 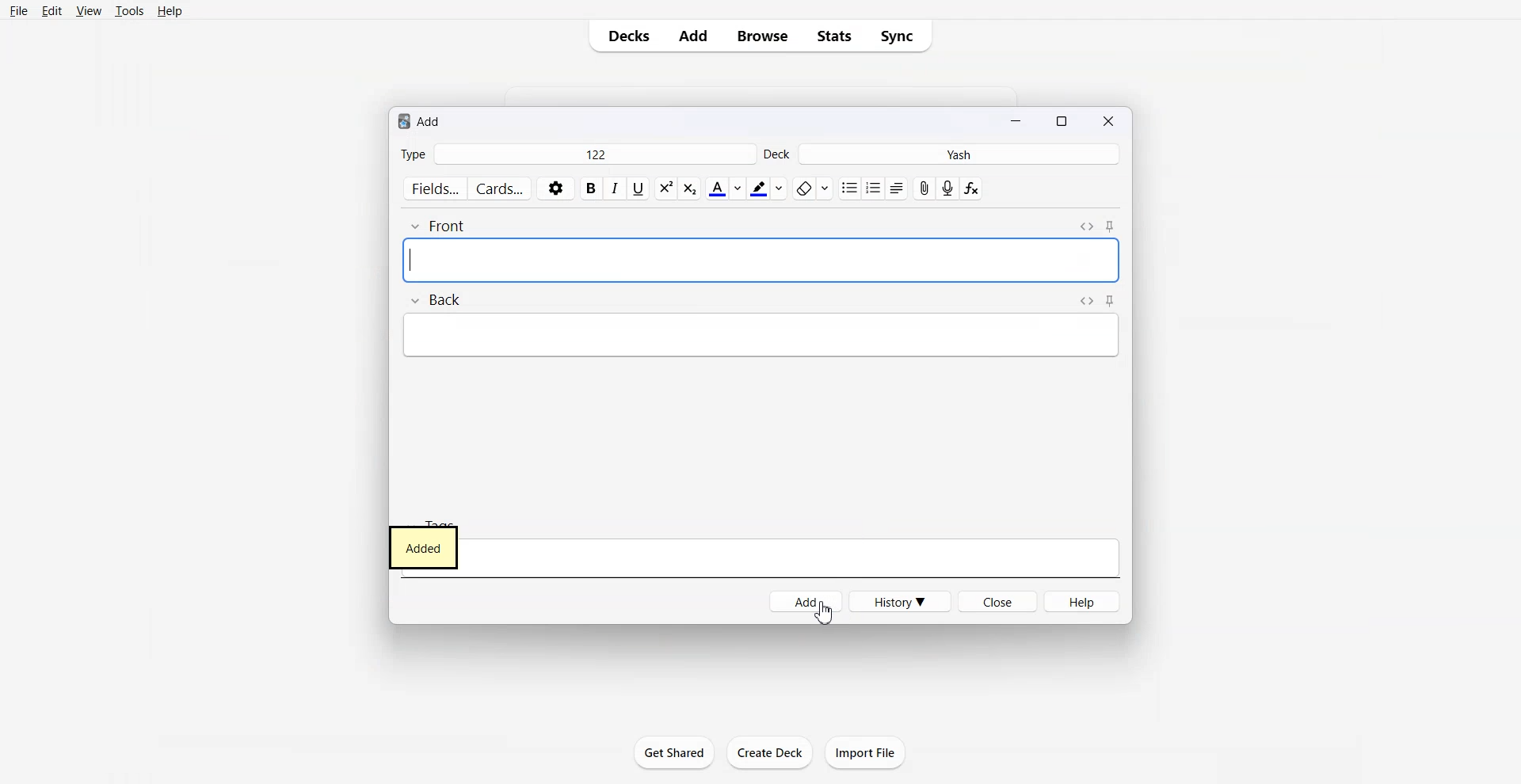 I want to click on Decks, so click(x=626, y=36).